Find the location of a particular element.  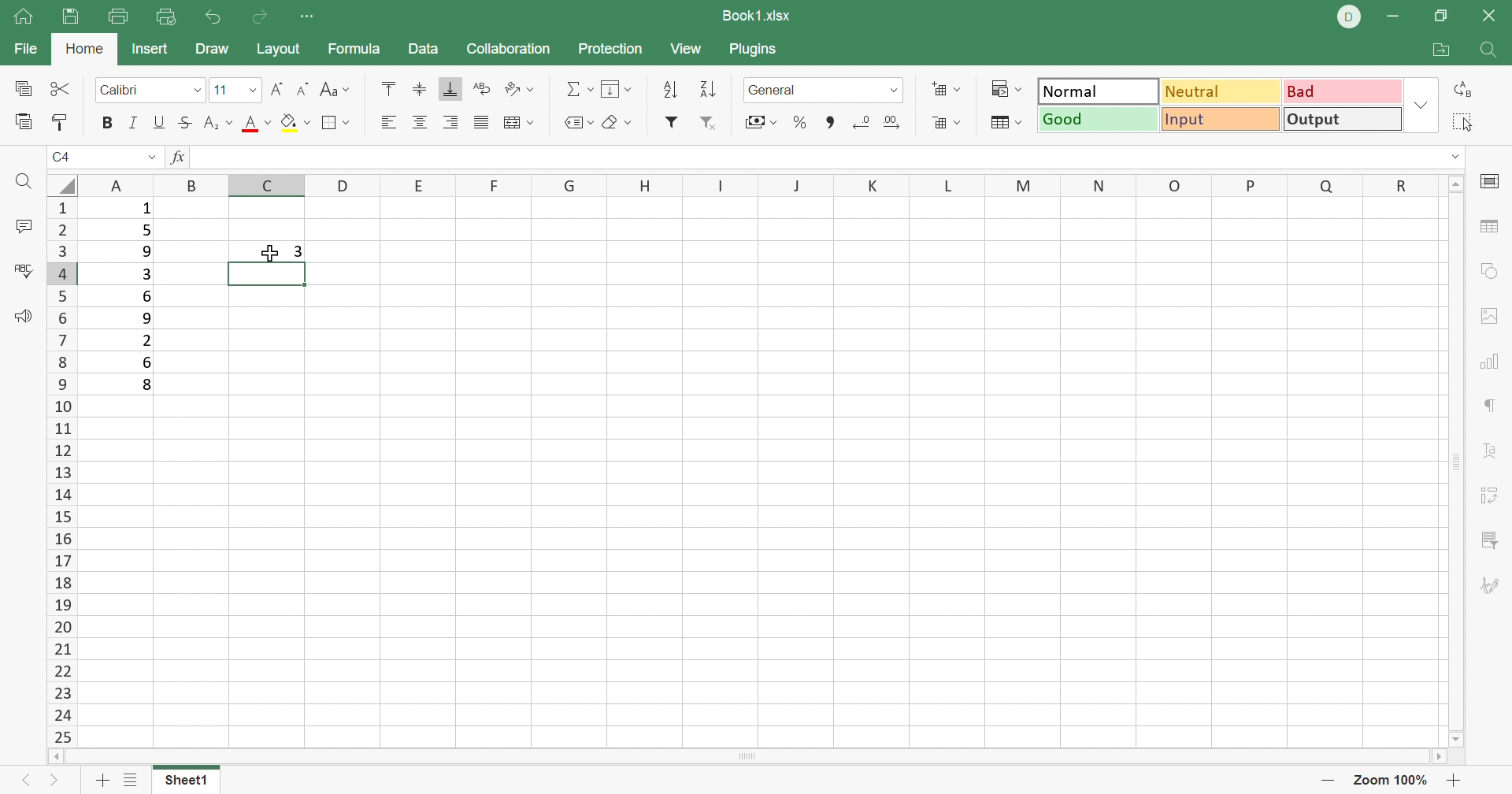

6 is located at coordinates (145, 296).